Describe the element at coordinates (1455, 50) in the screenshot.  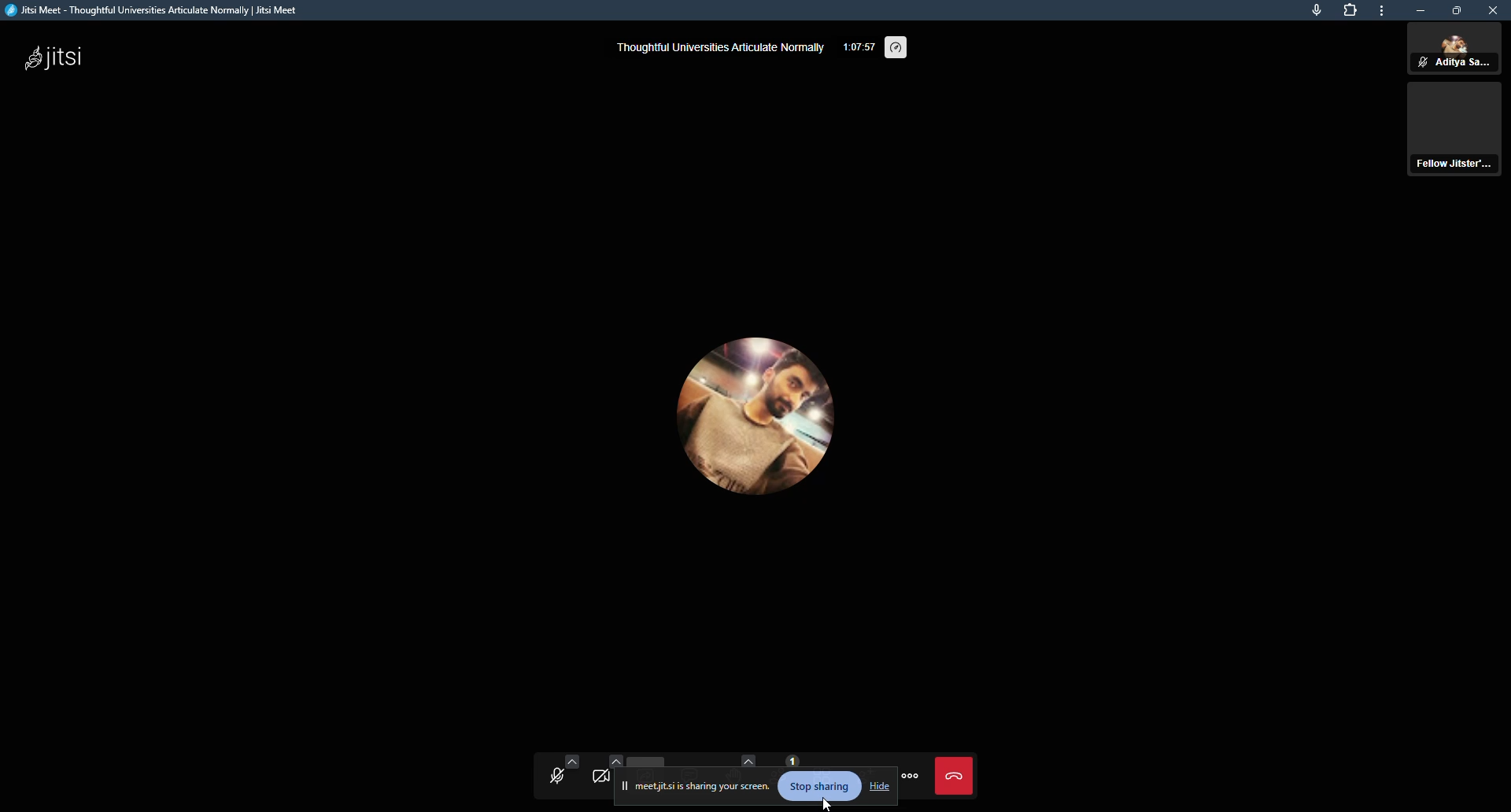
I see `Aditya sarkar` at that location.